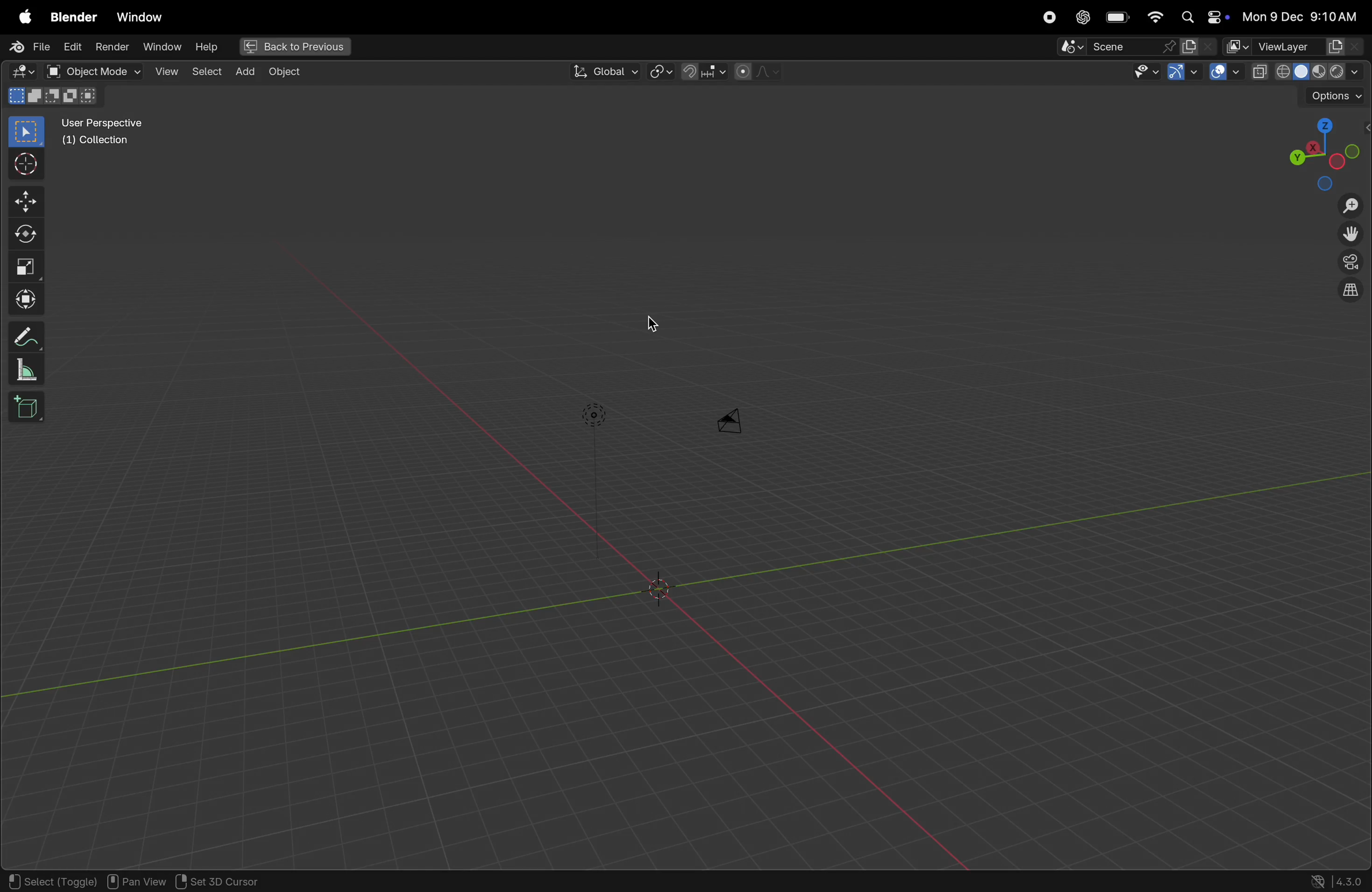 This screenshot has width=1372, height=892. I want to click on select, so click(27, 132).